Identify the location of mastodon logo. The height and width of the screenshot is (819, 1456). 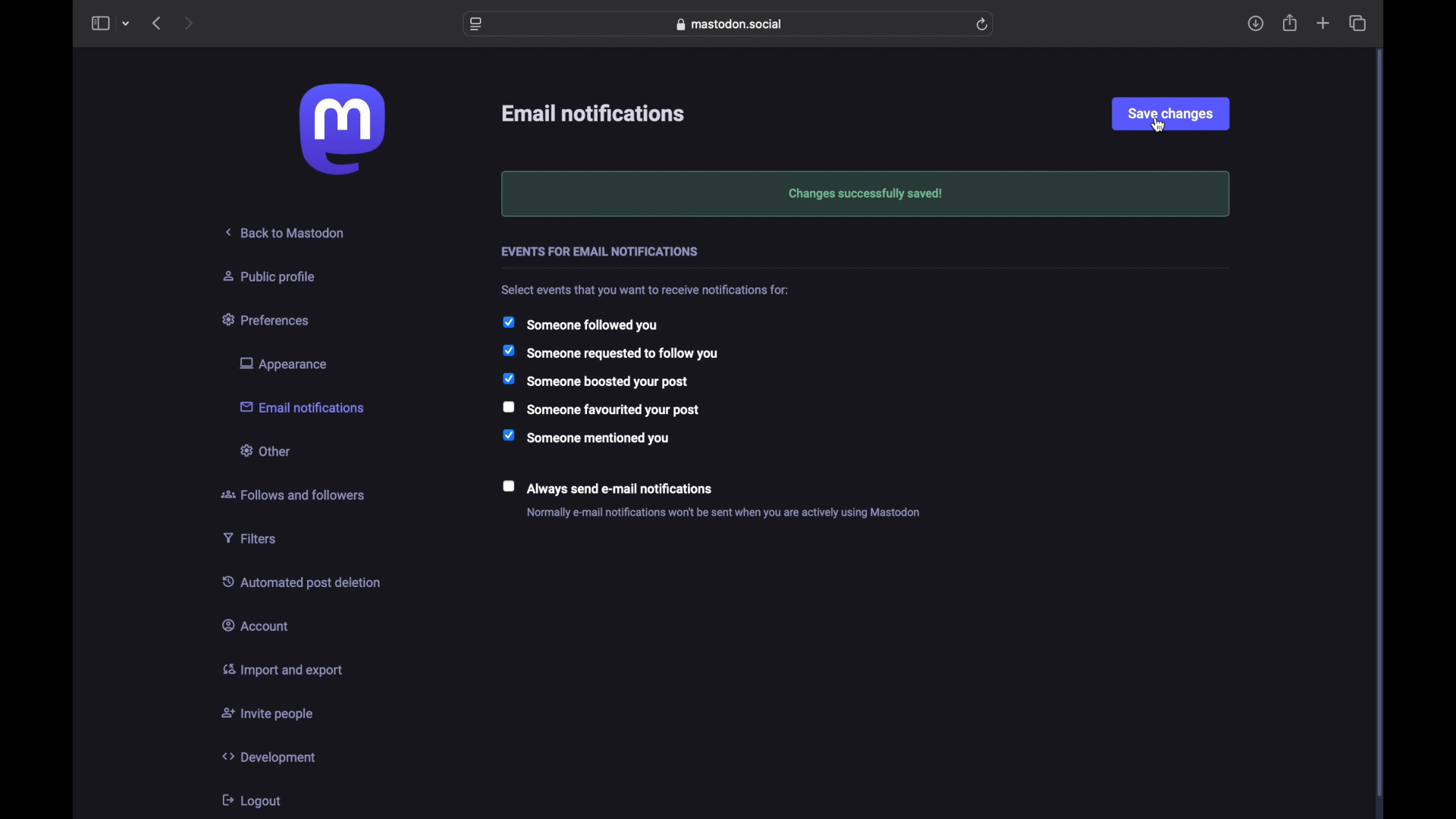
(342, 129).